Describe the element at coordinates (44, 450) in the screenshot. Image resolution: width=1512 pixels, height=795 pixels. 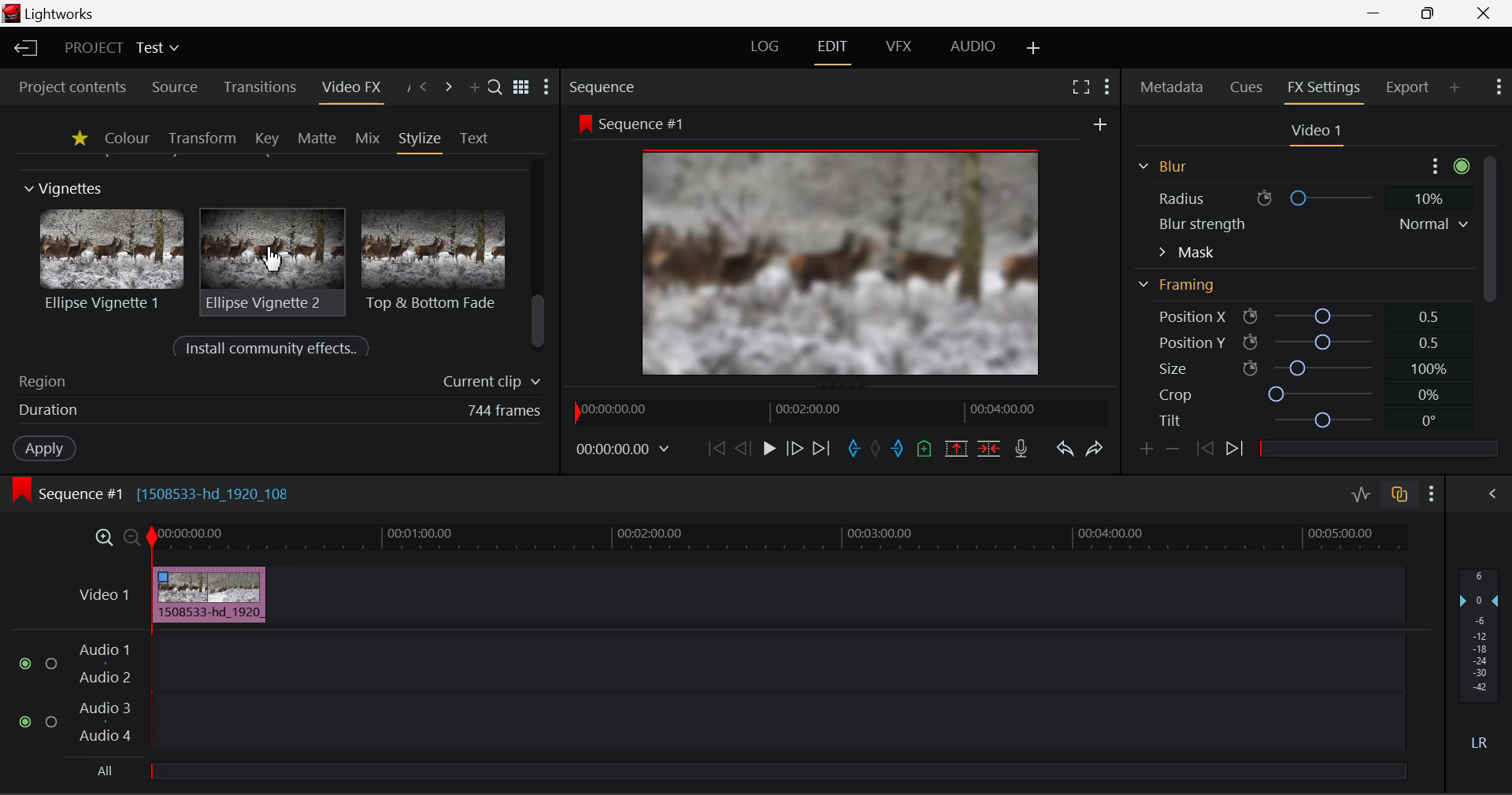
I see `Apply` at that location.